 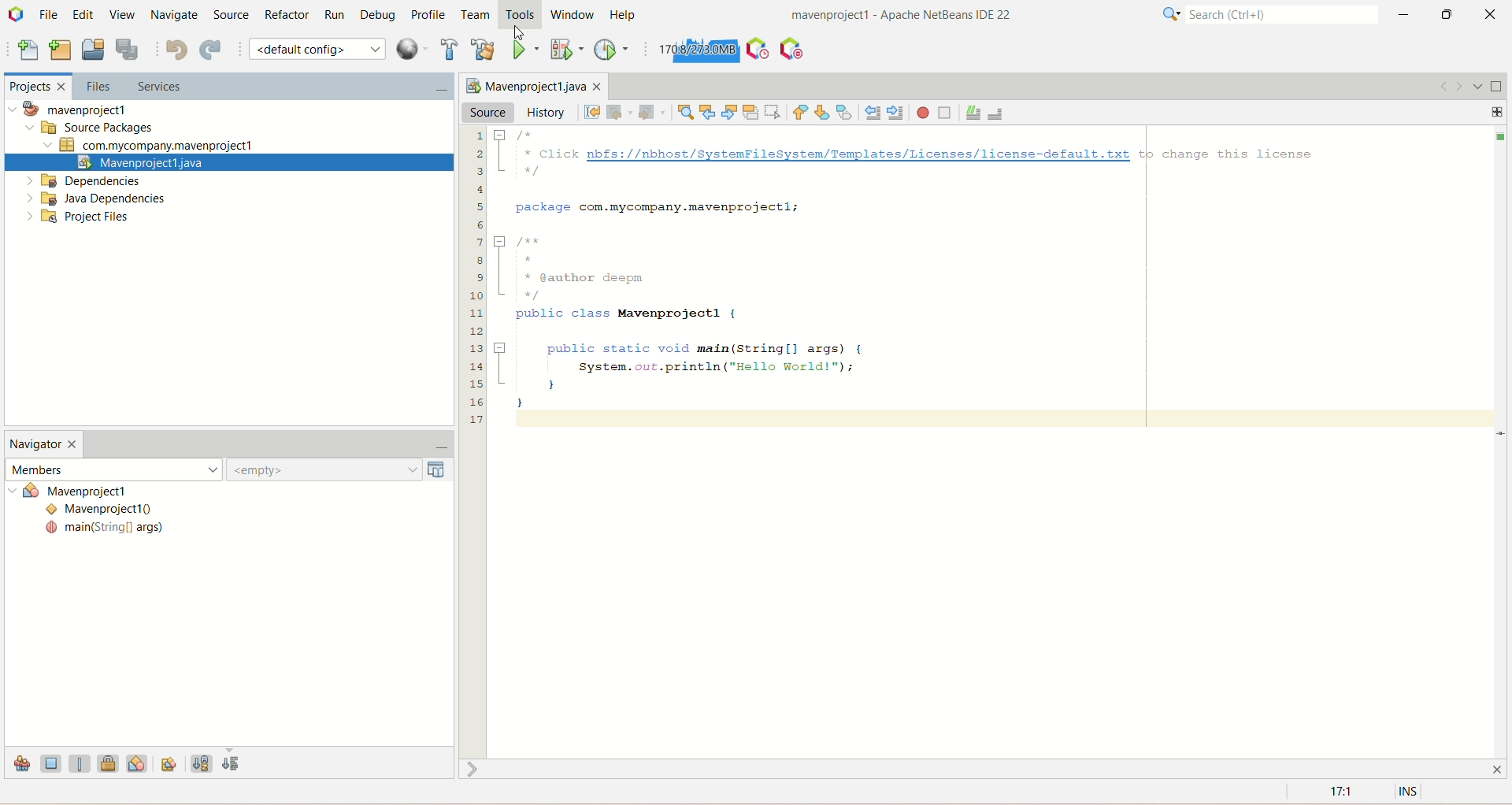 What do you see at coordinates (617, 280) in the screenshot?
I see `od+ Gauthor deepm*/ public class Mavenproject {` at bounding box center [617, 280].